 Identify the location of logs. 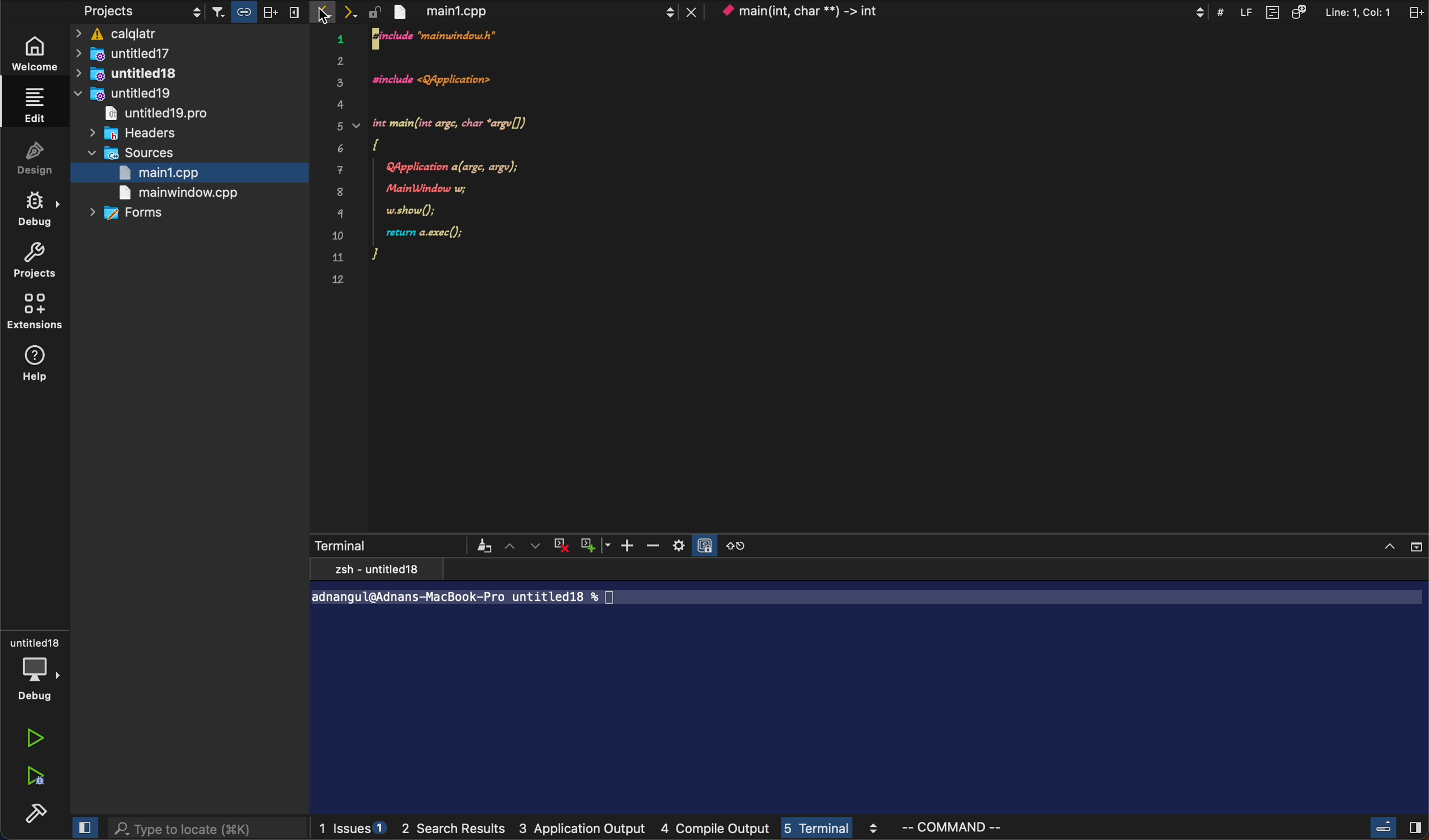
(662, 831).